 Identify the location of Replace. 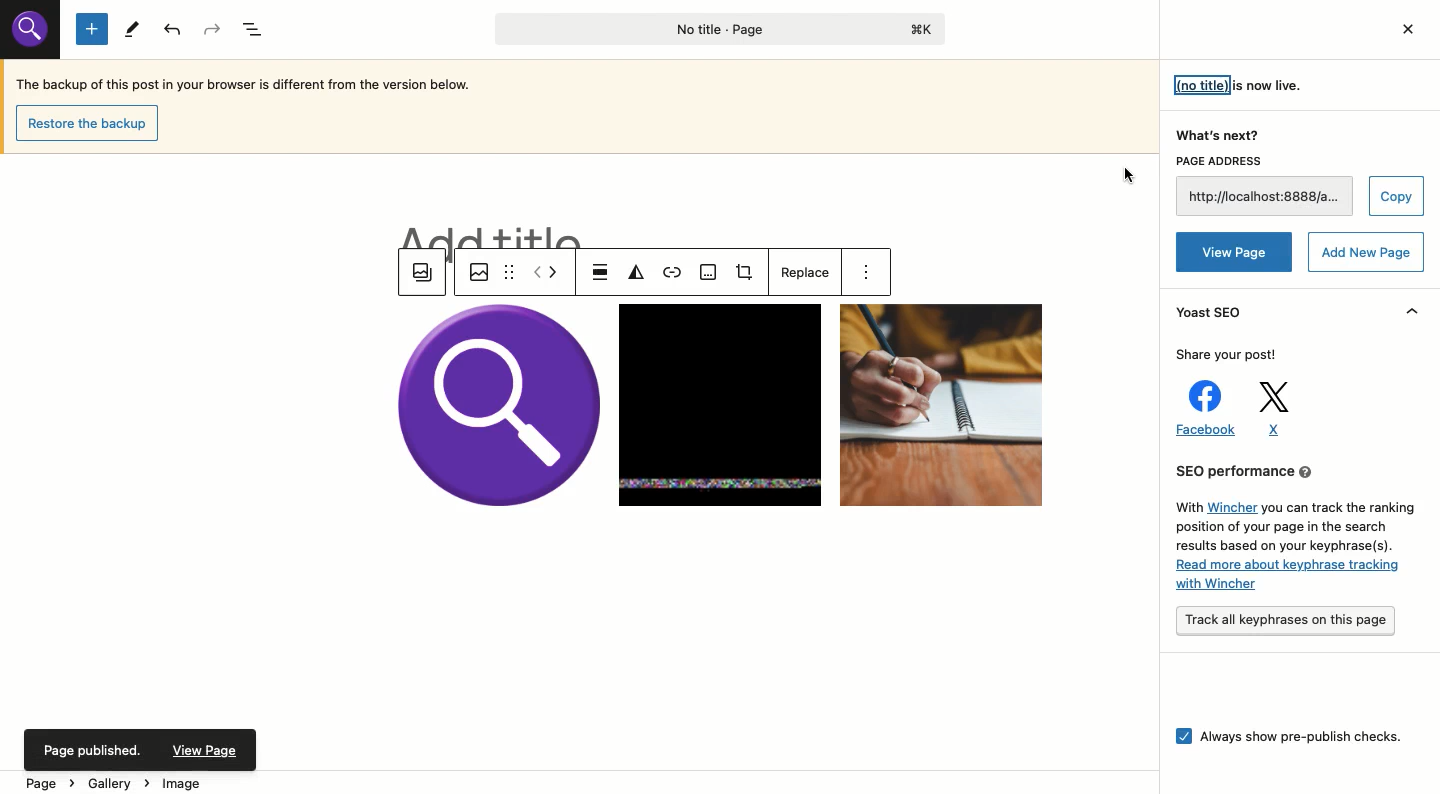
(802, 272).